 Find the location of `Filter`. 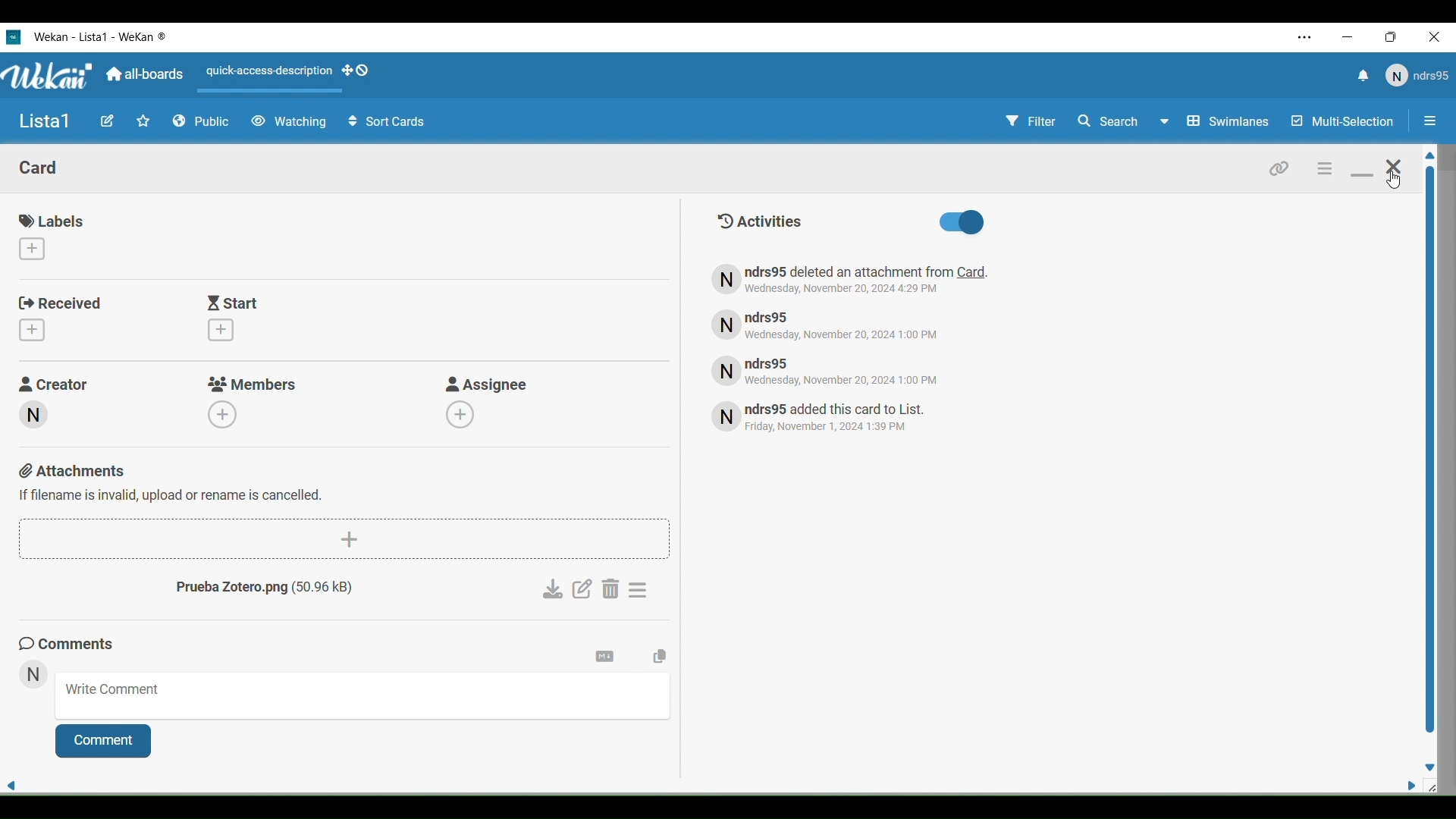

Filter is located at coordinates (1030, 124).